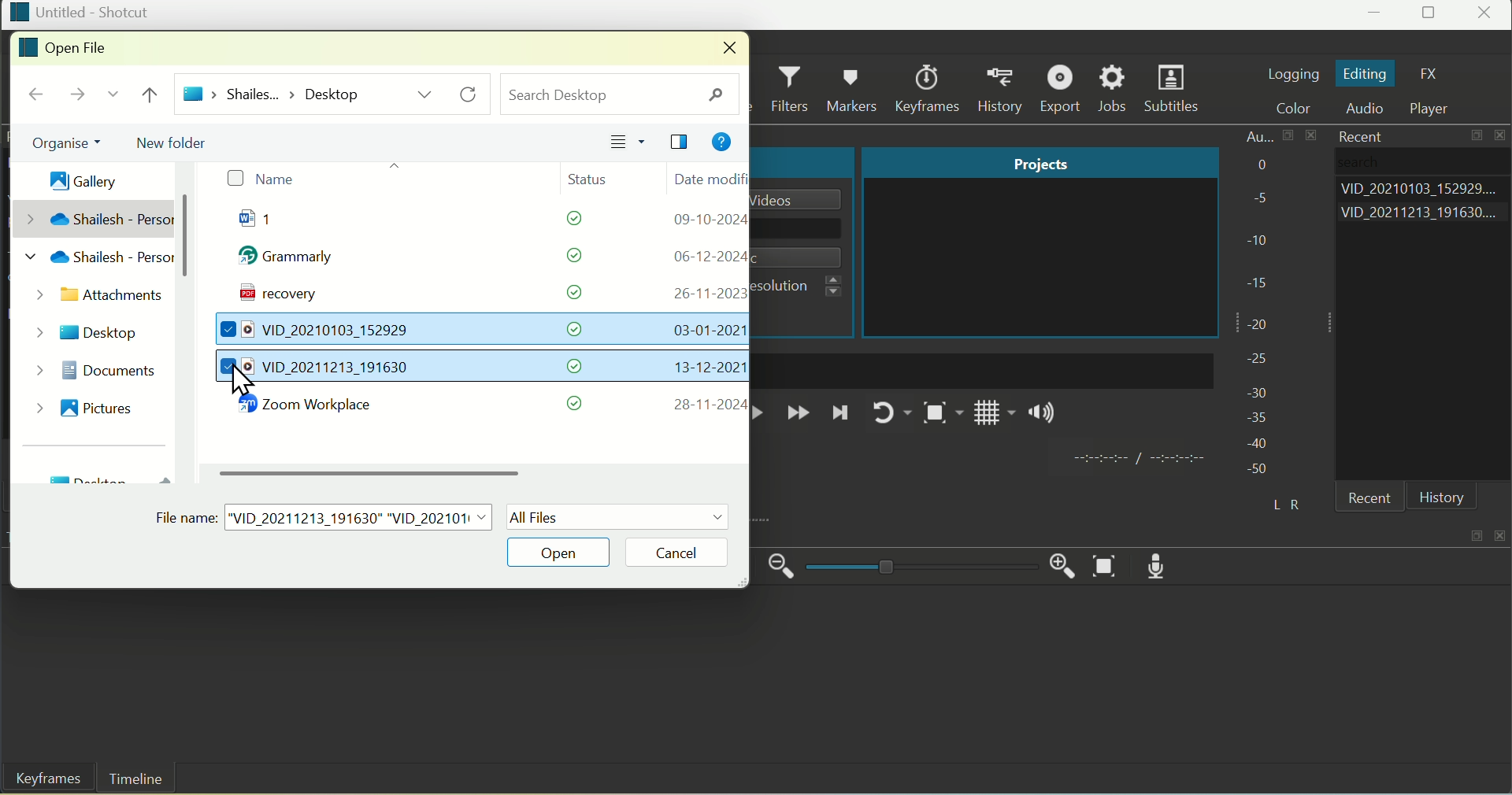  I want to click on Subtitles, so click(1175, 91).